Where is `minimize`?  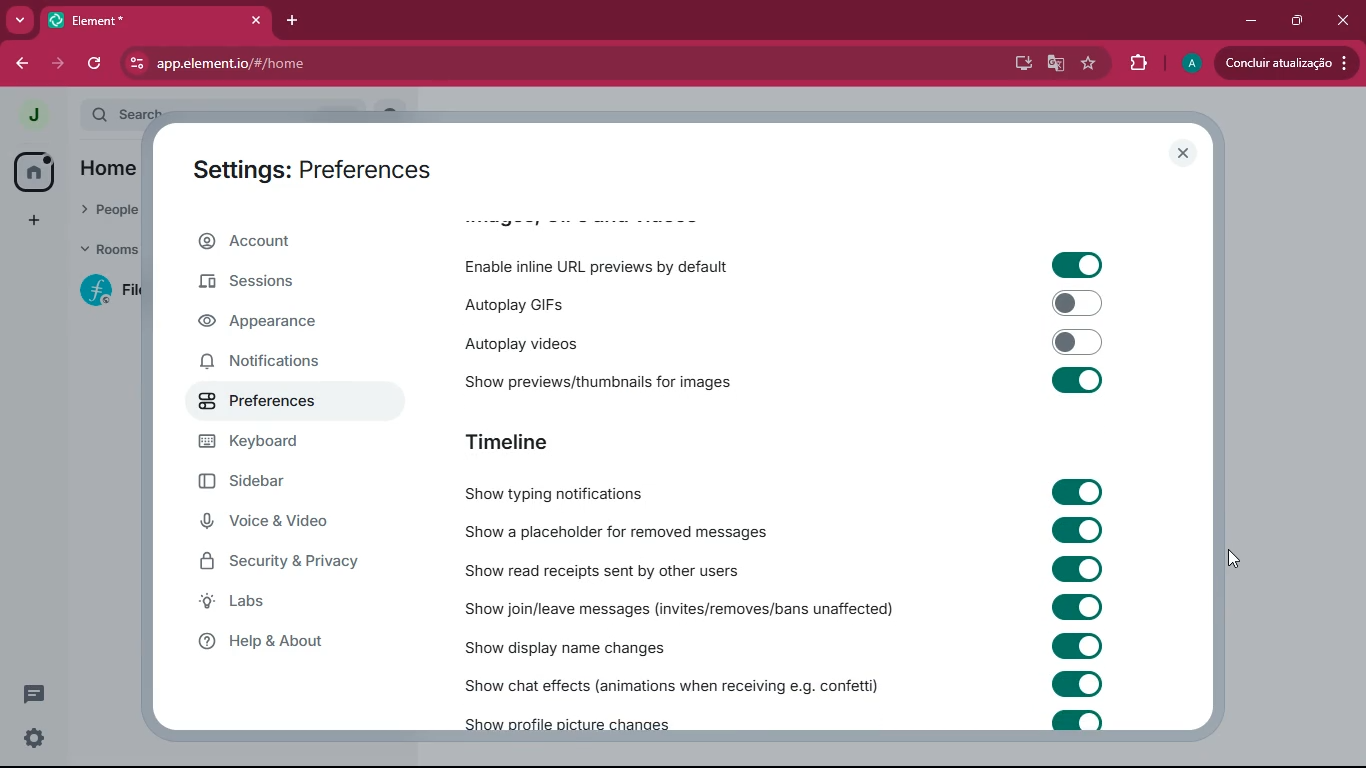 minimize is located at coordinates (1252, 20).